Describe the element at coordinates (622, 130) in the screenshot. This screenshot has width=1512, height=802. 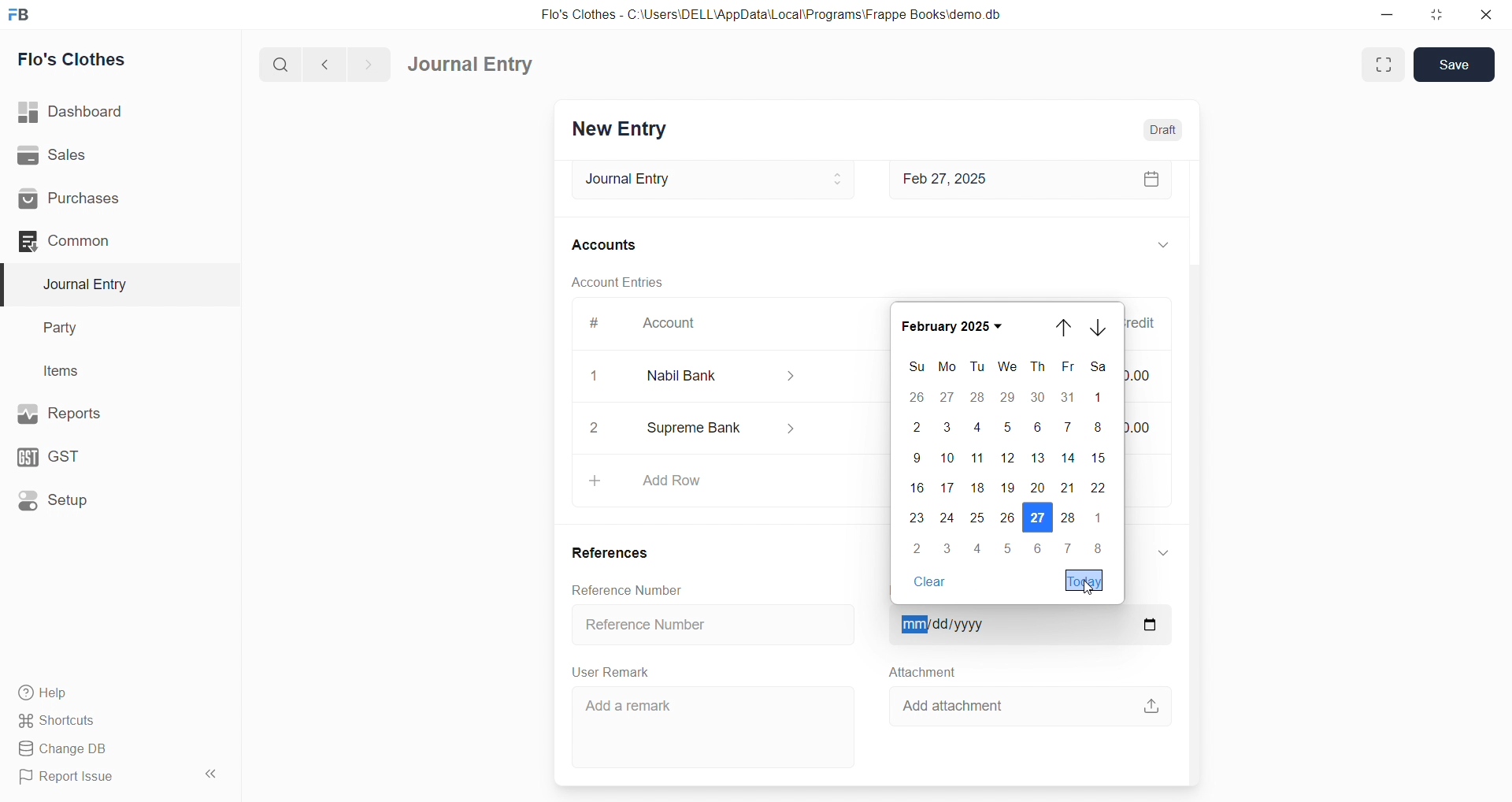
I see `New Entry` at that location.